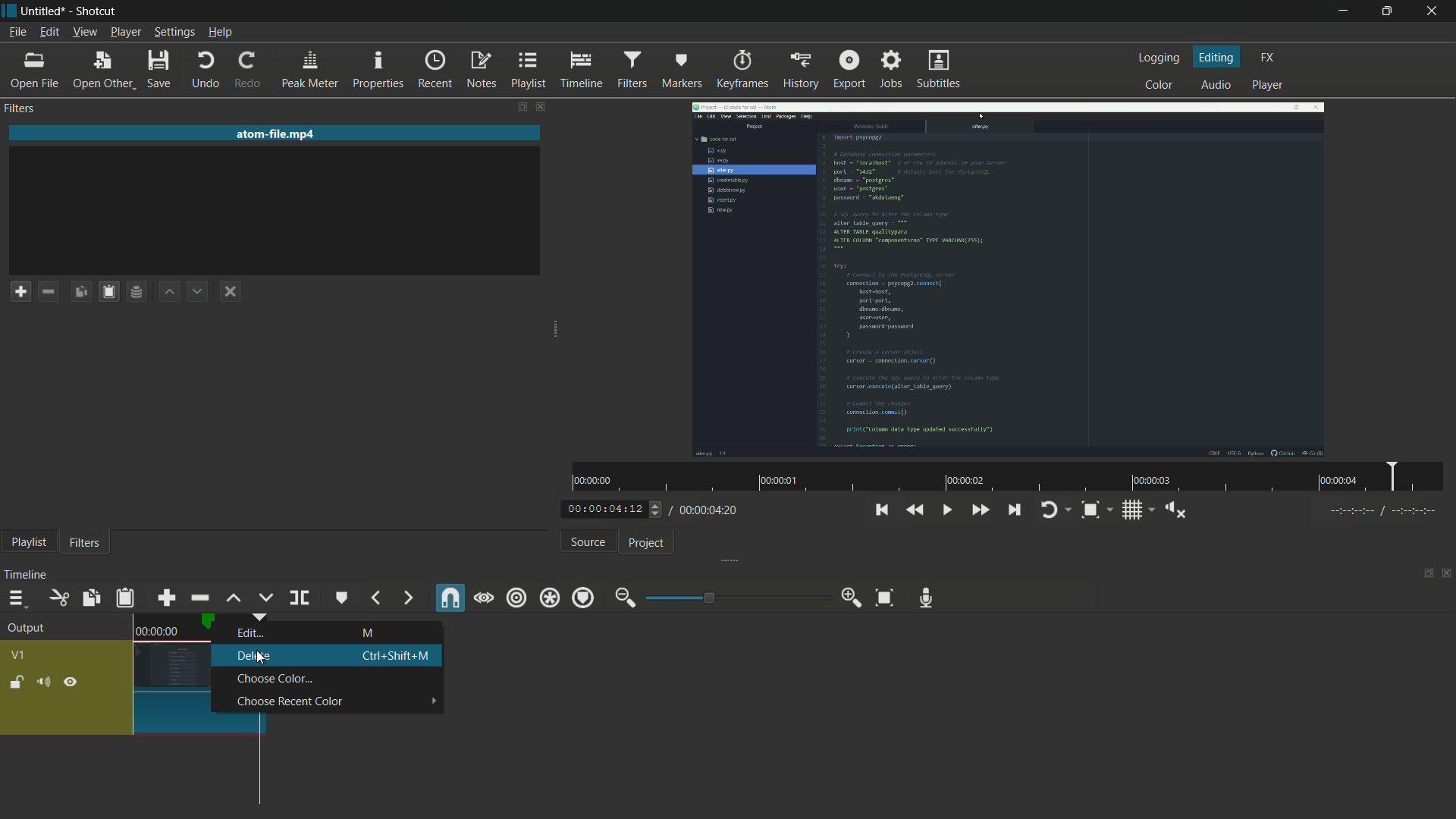 The width and height of the screenshot is (1456, 819). What do you see at coordinates (33, 72) in the screenshot?
I see `open file` at bounding box center [33, 72].